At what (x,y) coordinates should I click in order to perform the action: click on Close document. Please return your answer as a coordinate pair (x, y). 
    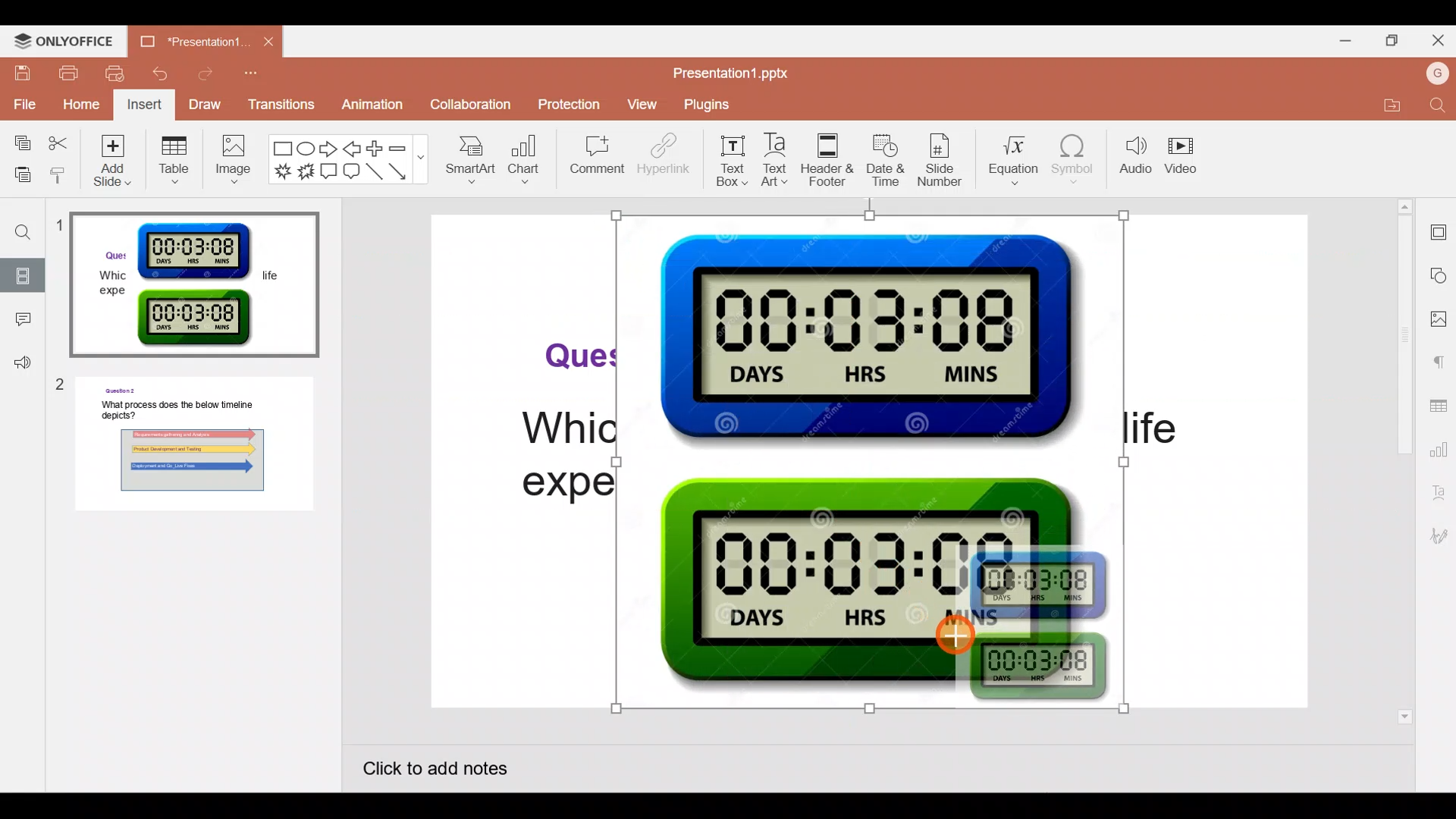
    Looking at the image, I should click on (268, 44).